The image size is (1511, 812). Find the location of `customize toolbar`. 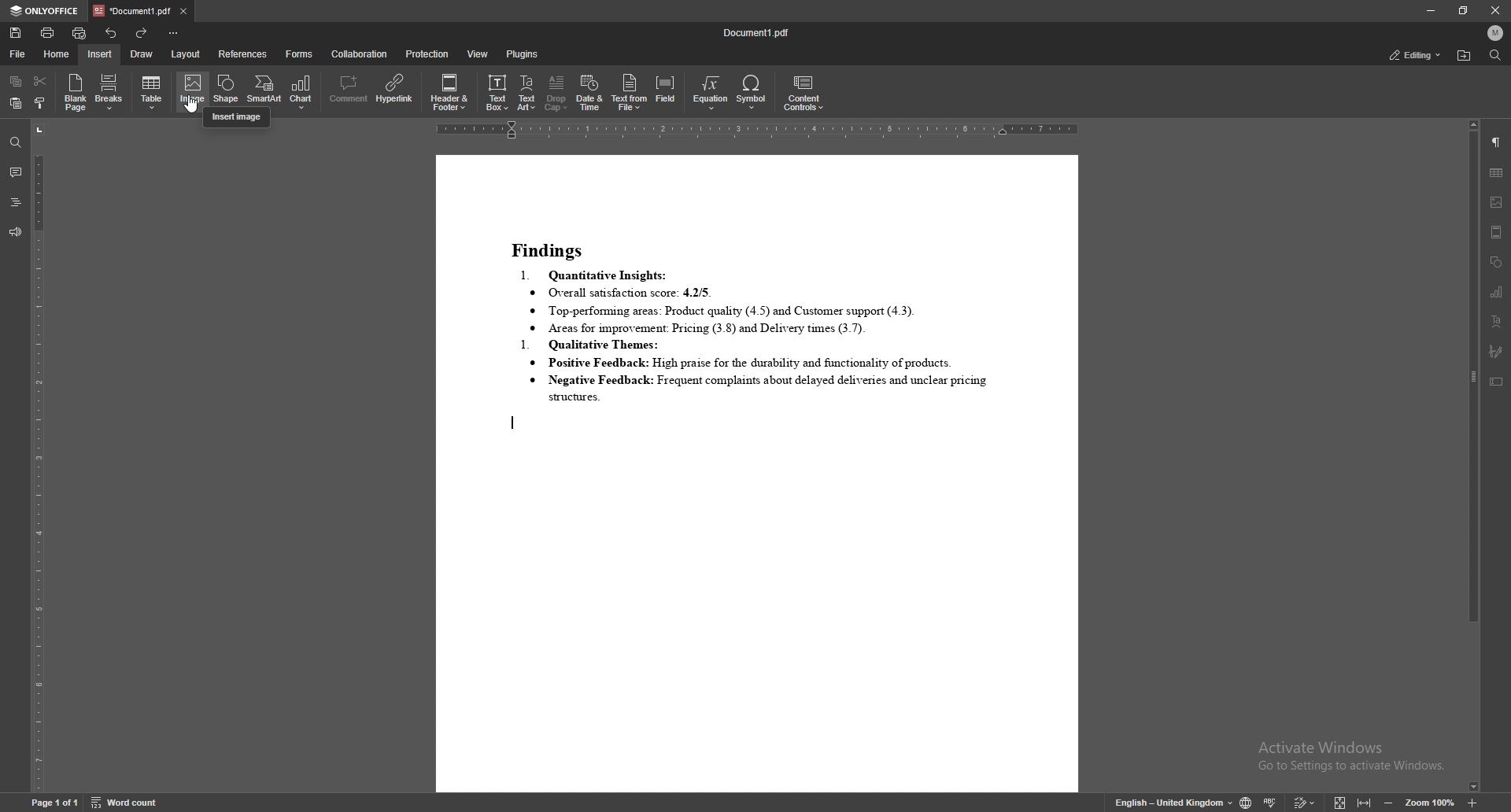

customize toolbar is located at coordinates (174, 32).